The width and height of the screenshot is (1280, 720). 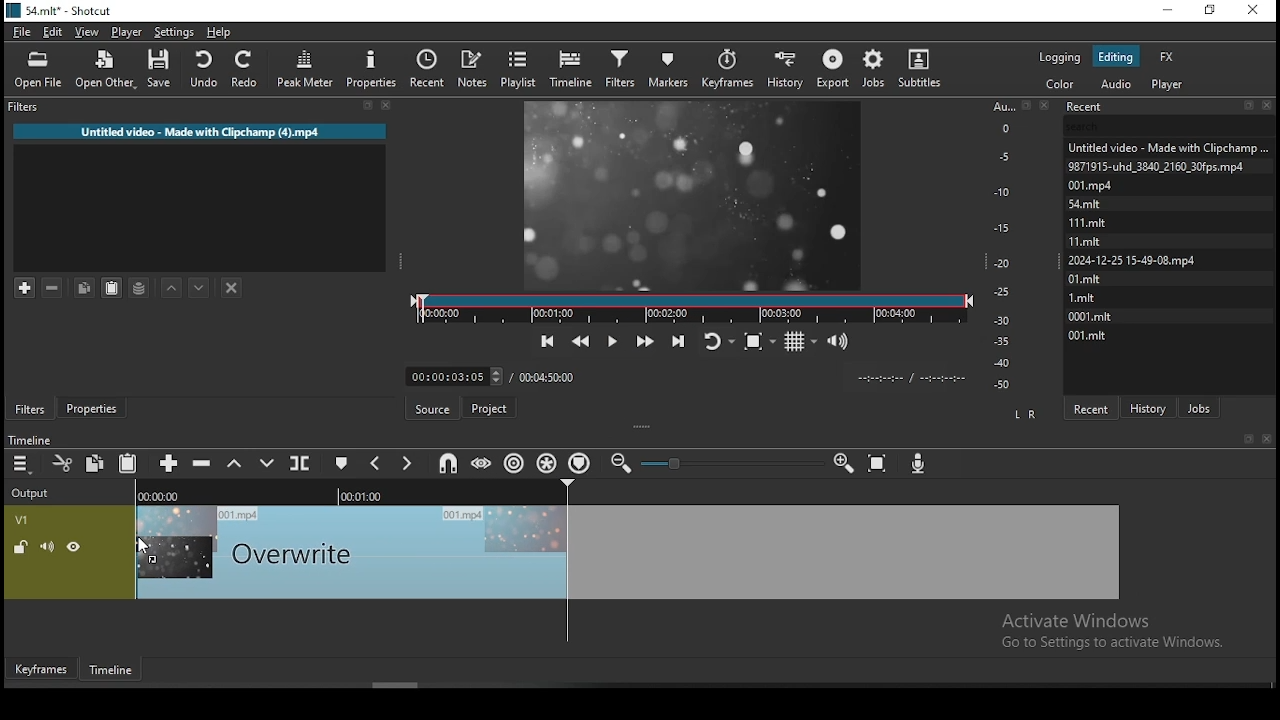 What do you see at coordinates (832, 70) in the screenshot?
I see `export` at bounding box center [832, 70].